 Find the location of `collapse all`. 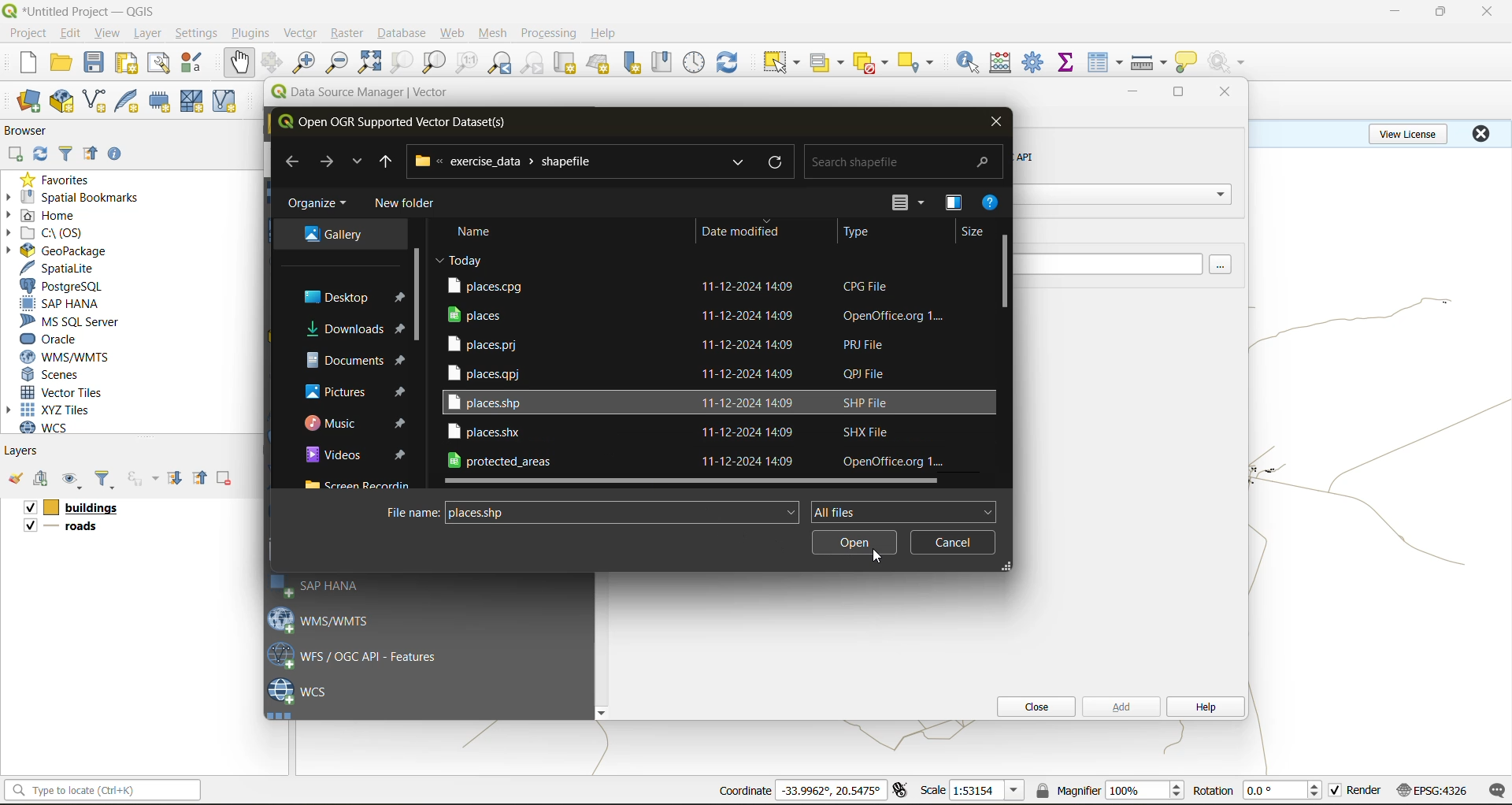

collapse all is located at coordinates (202, 478).